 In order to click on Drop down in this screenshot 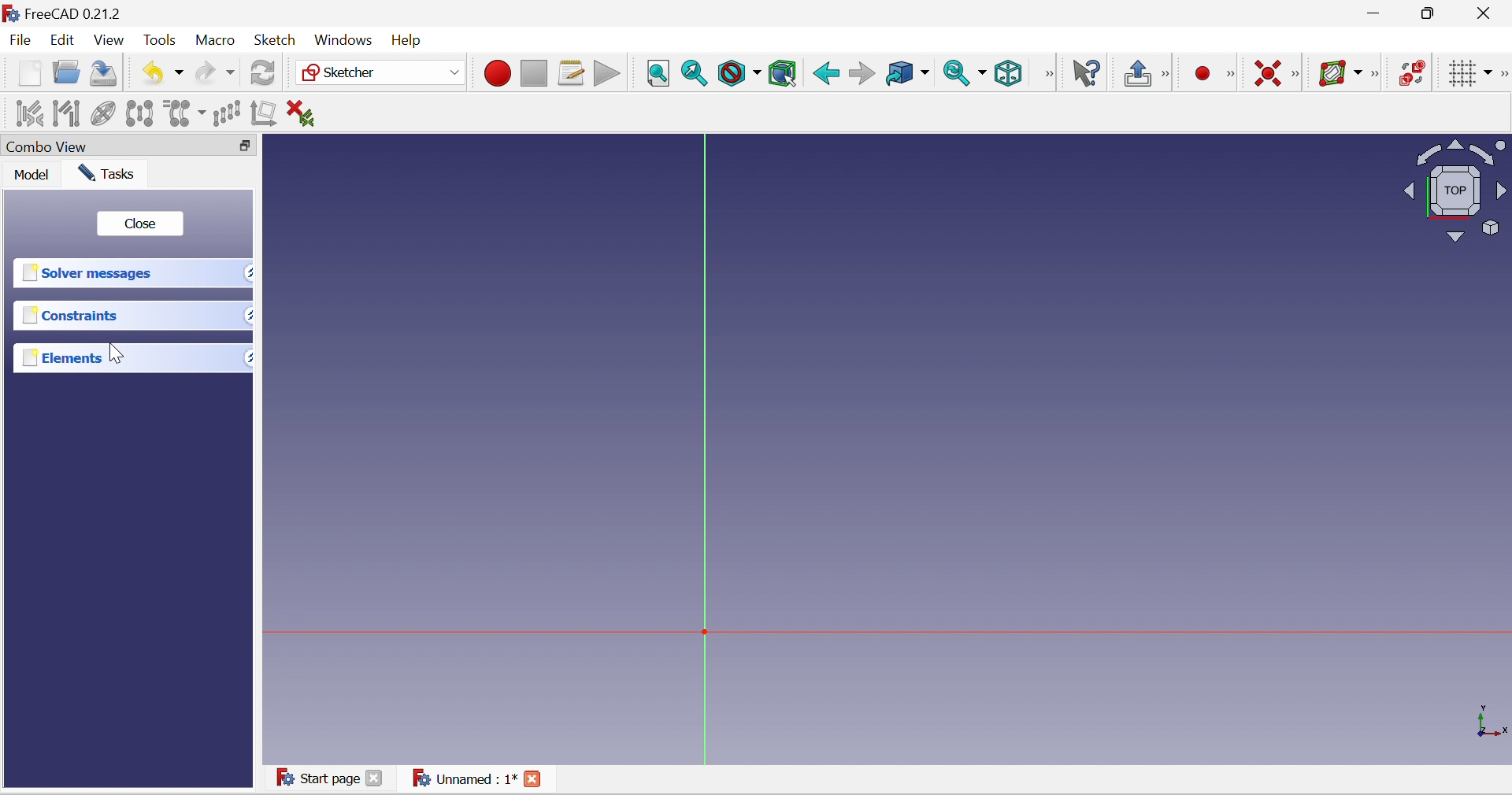, I will do `click(245, 272)`.